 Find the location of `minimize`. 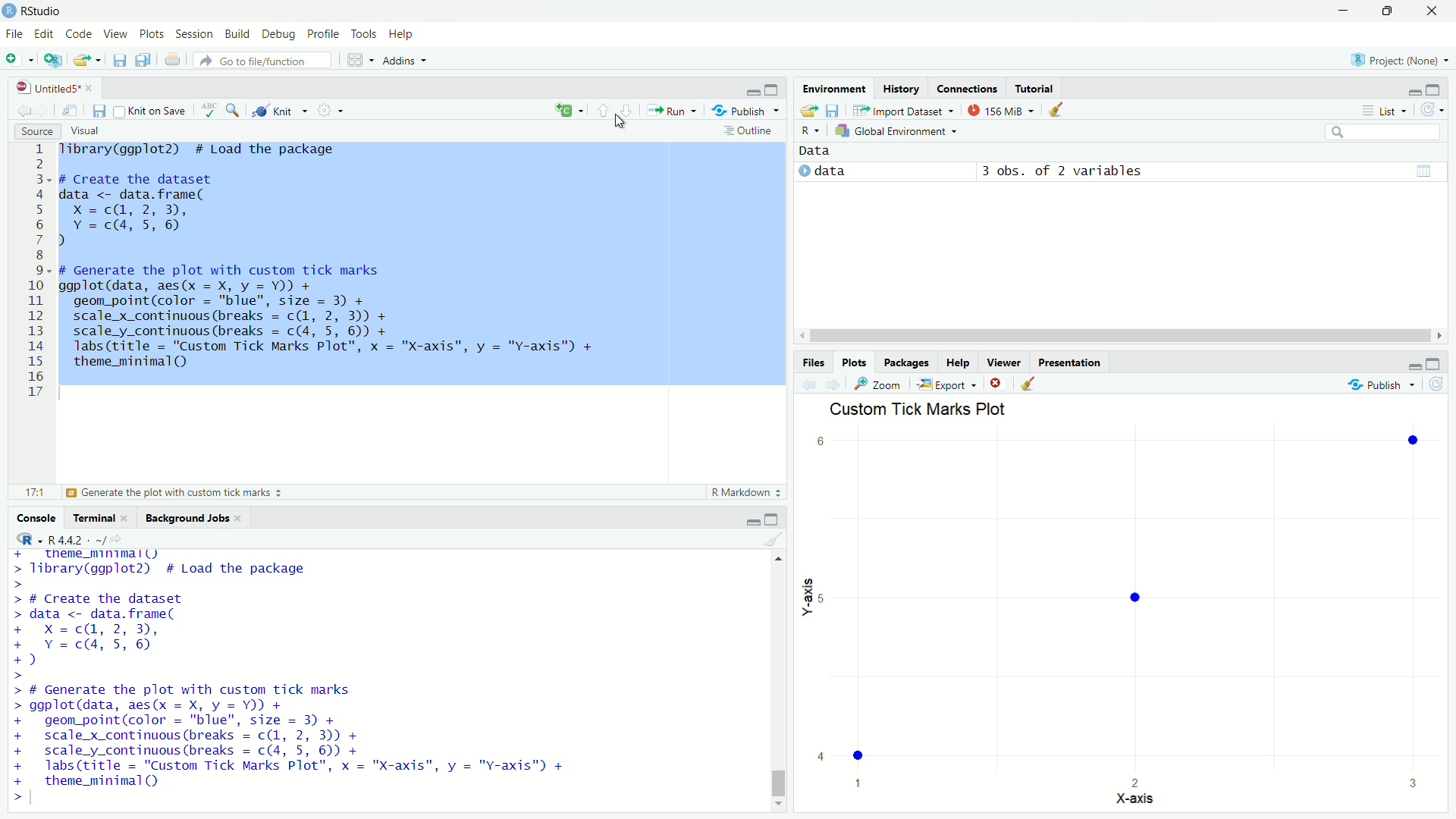

minimize is located at coordinates (1409, 88).